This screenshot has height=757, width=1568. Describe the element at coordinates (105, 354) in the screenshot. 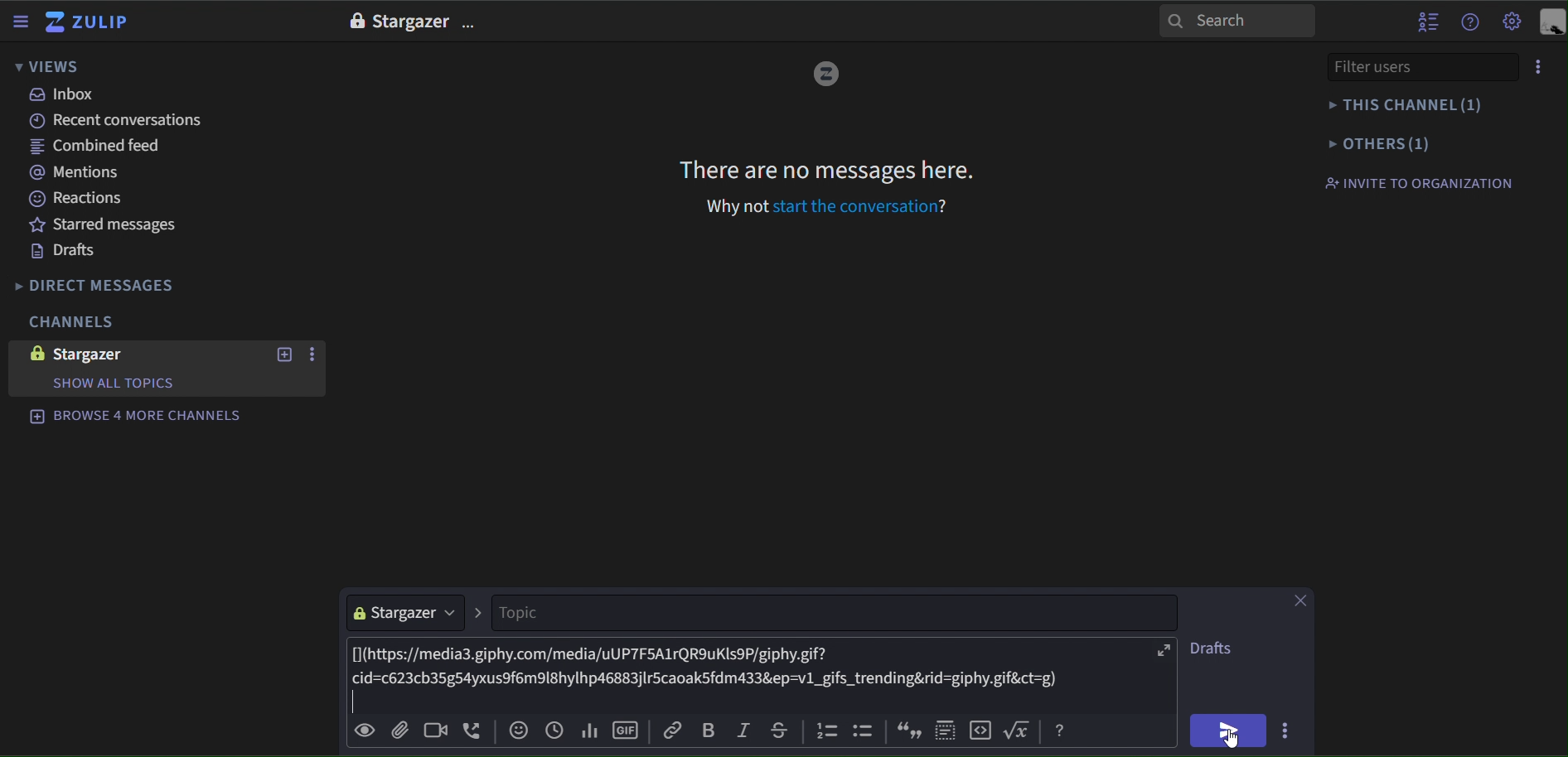

I see `stargazer` at that location.